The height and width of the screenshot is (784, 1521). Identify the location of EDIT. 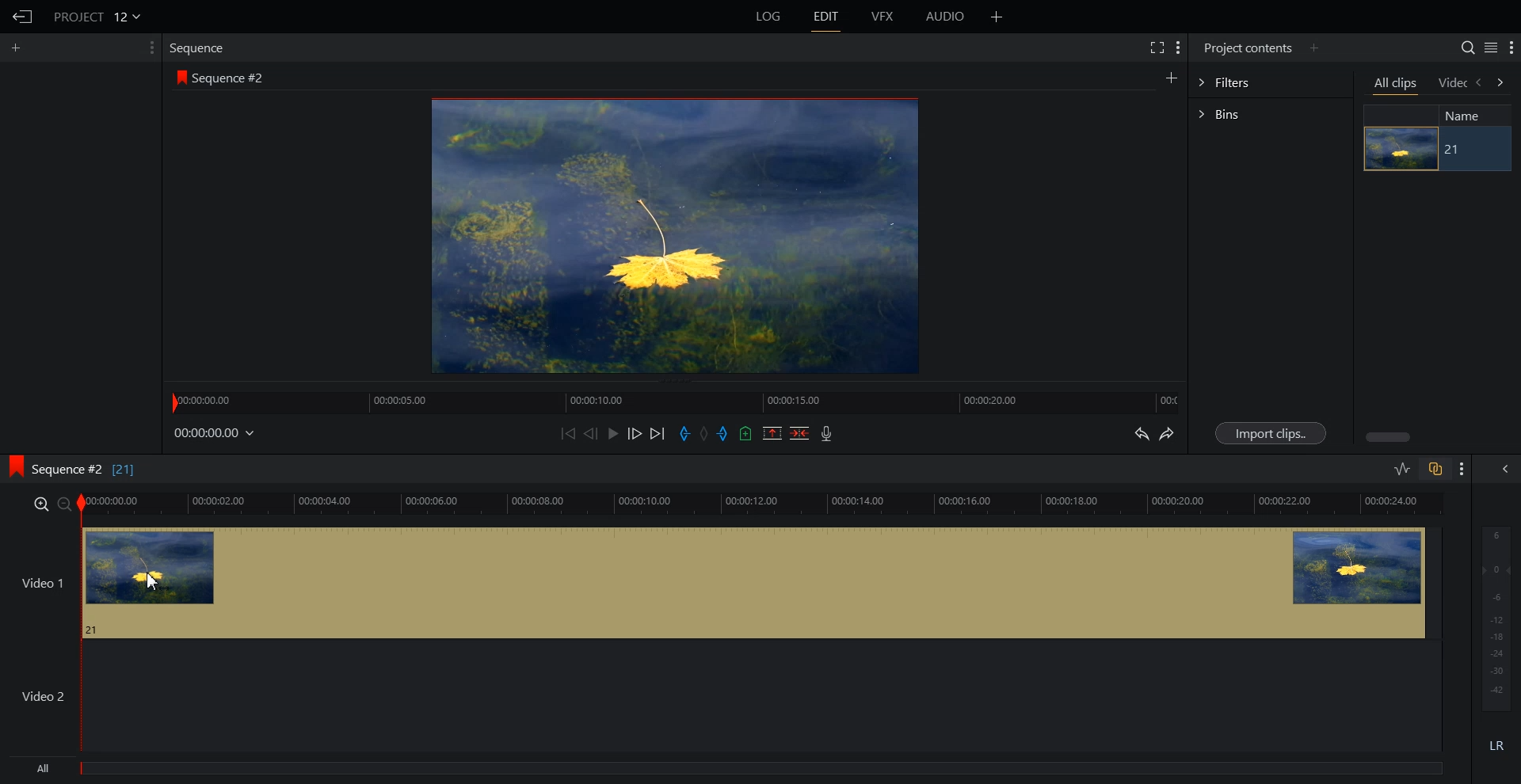
(829, 17).